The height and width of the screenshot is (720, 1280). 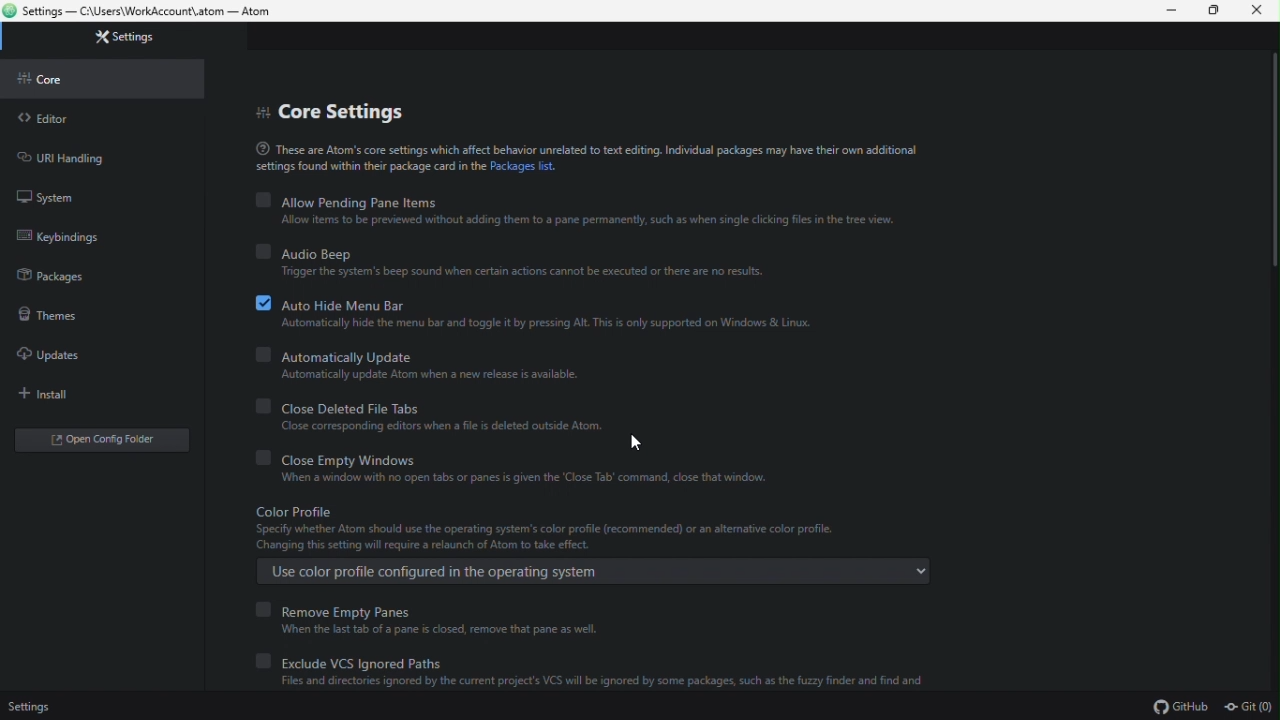 What do you see at coordinates (96, 238) in the screenshot?
I see `key bindings` at bounding box center [96, 238].